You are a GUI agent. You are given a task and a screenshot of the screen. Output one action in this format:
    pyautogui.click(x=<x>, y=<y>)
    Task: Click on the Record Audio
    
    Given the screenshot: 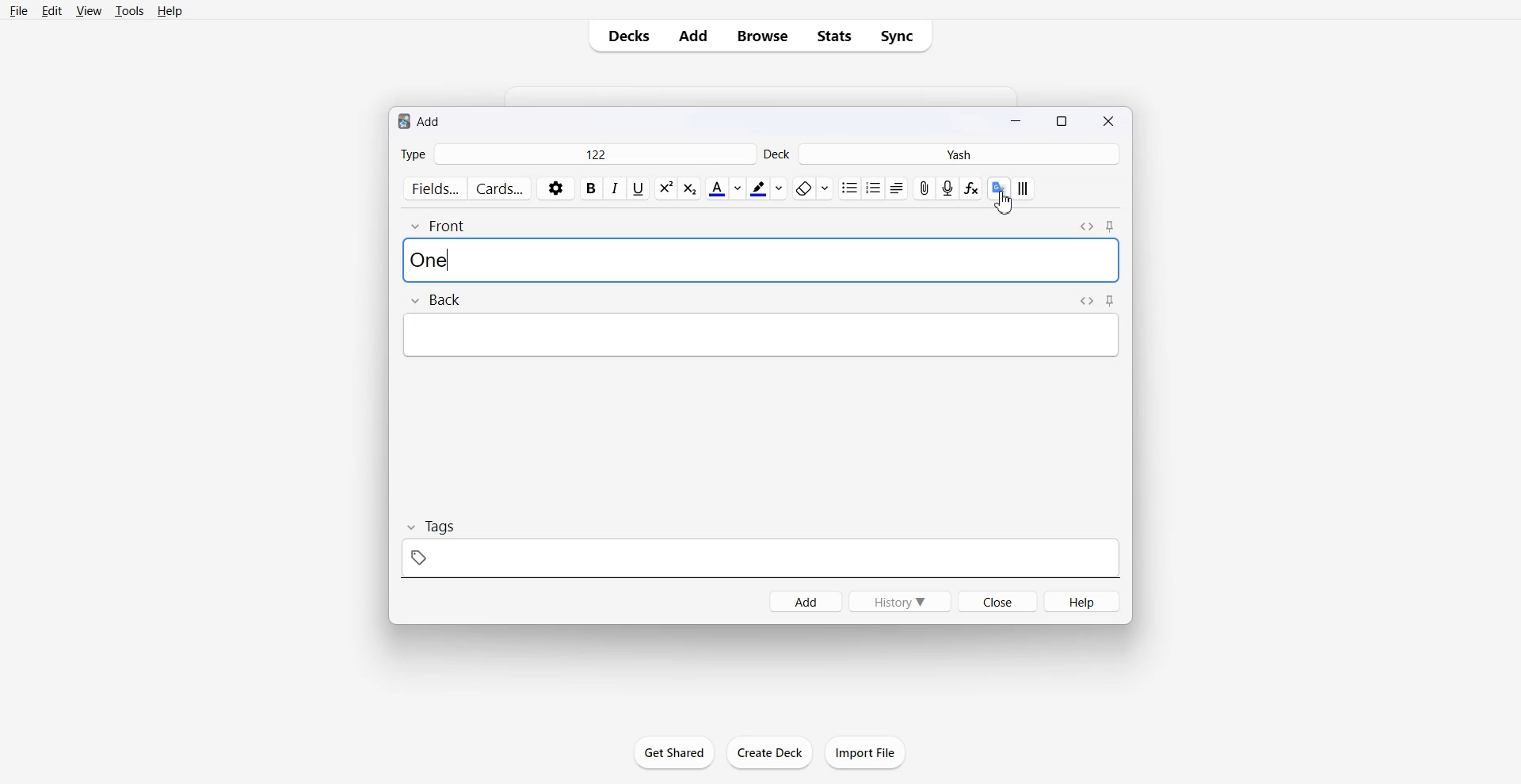 What is the action you would take?
    pyautogui.click(x=949, y=188)
    